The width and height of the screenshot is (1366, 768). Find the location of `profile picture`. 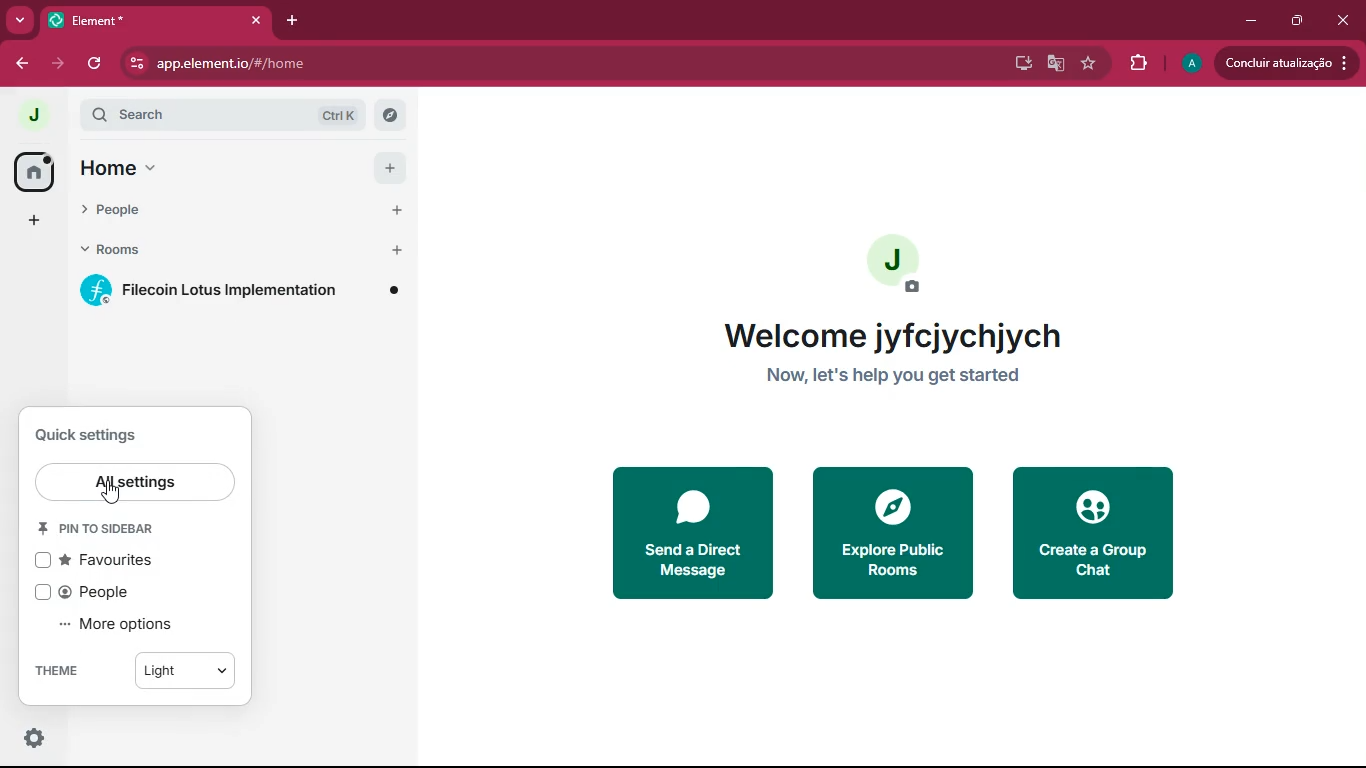

profile picture is located at coordinates (1190, 64).